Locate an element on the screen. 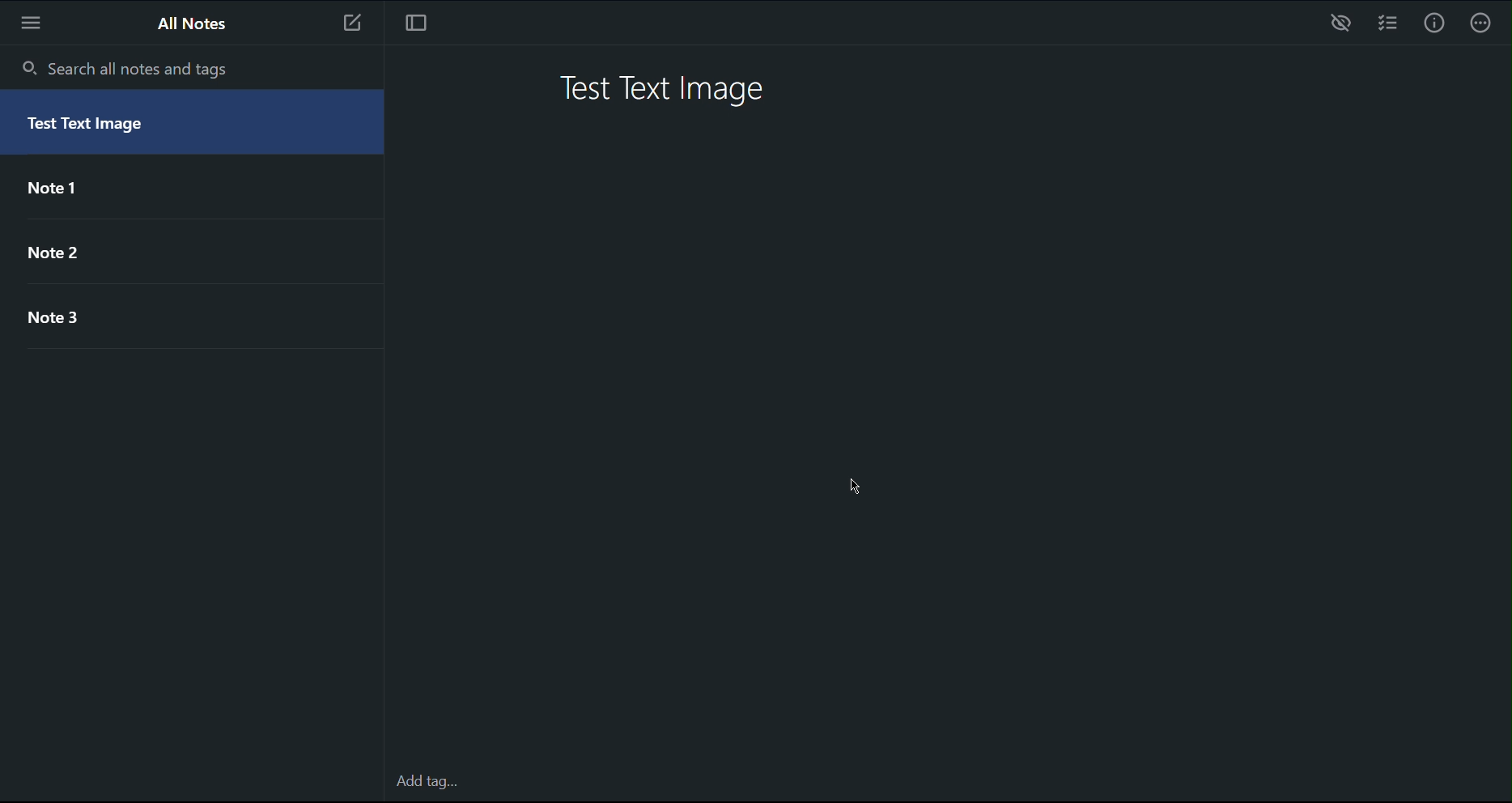  Add tag is located at coordinates (424, 783).